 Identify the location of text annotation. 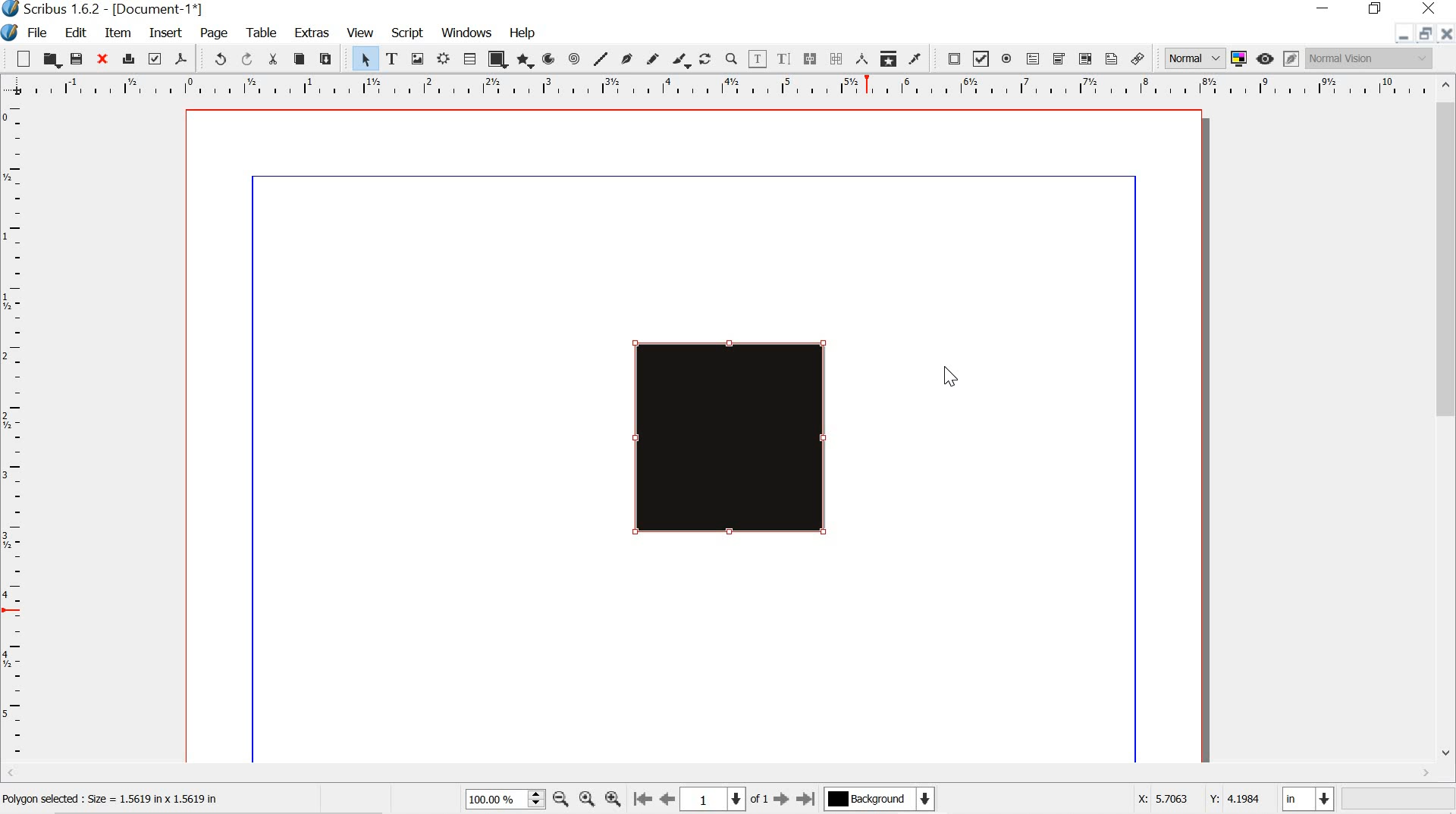
(1110, 58).